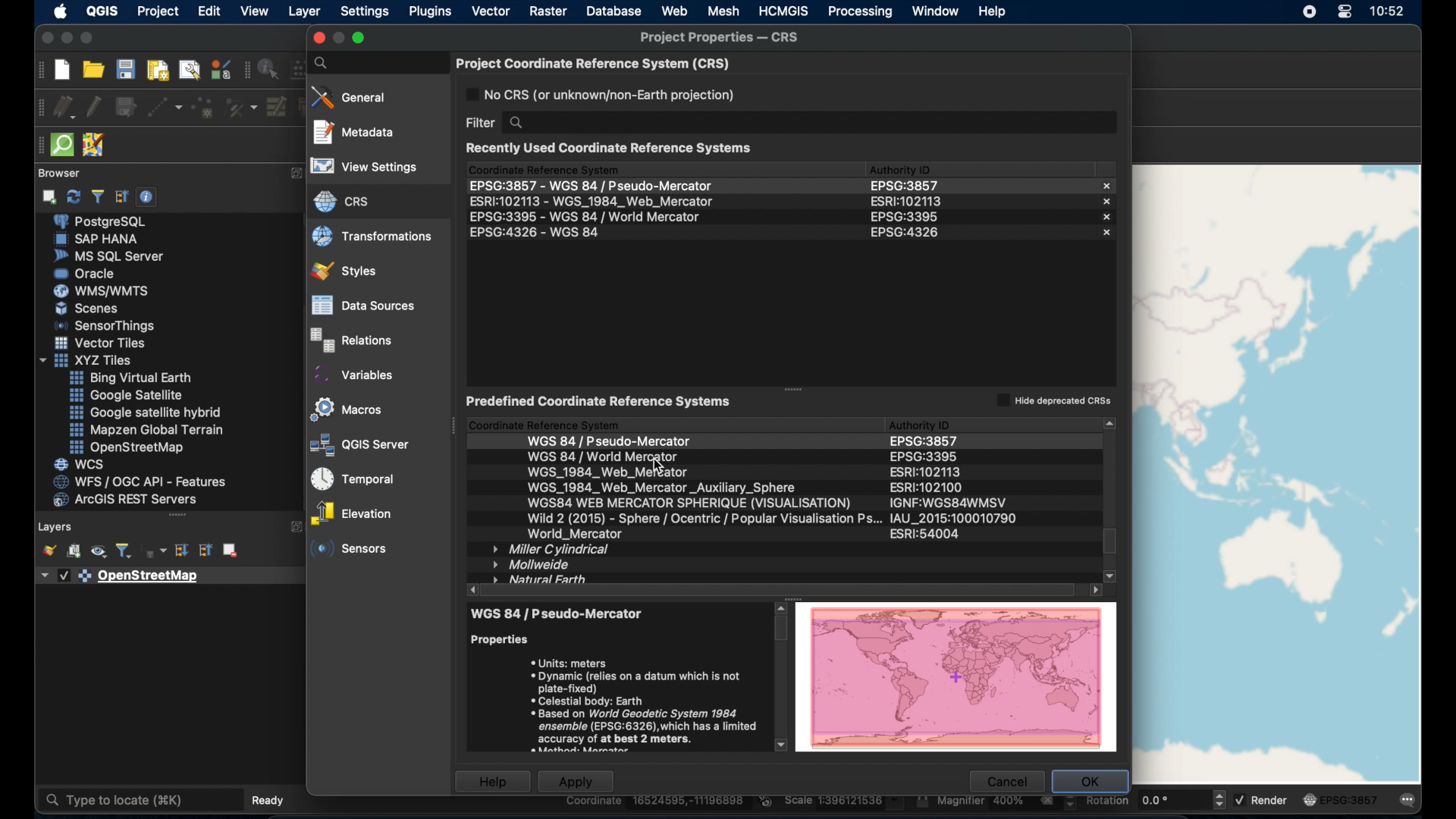 Image resolution: width=1456 pixels, height=819 pixels. I want to click on remove layer group, so click(230, 552).